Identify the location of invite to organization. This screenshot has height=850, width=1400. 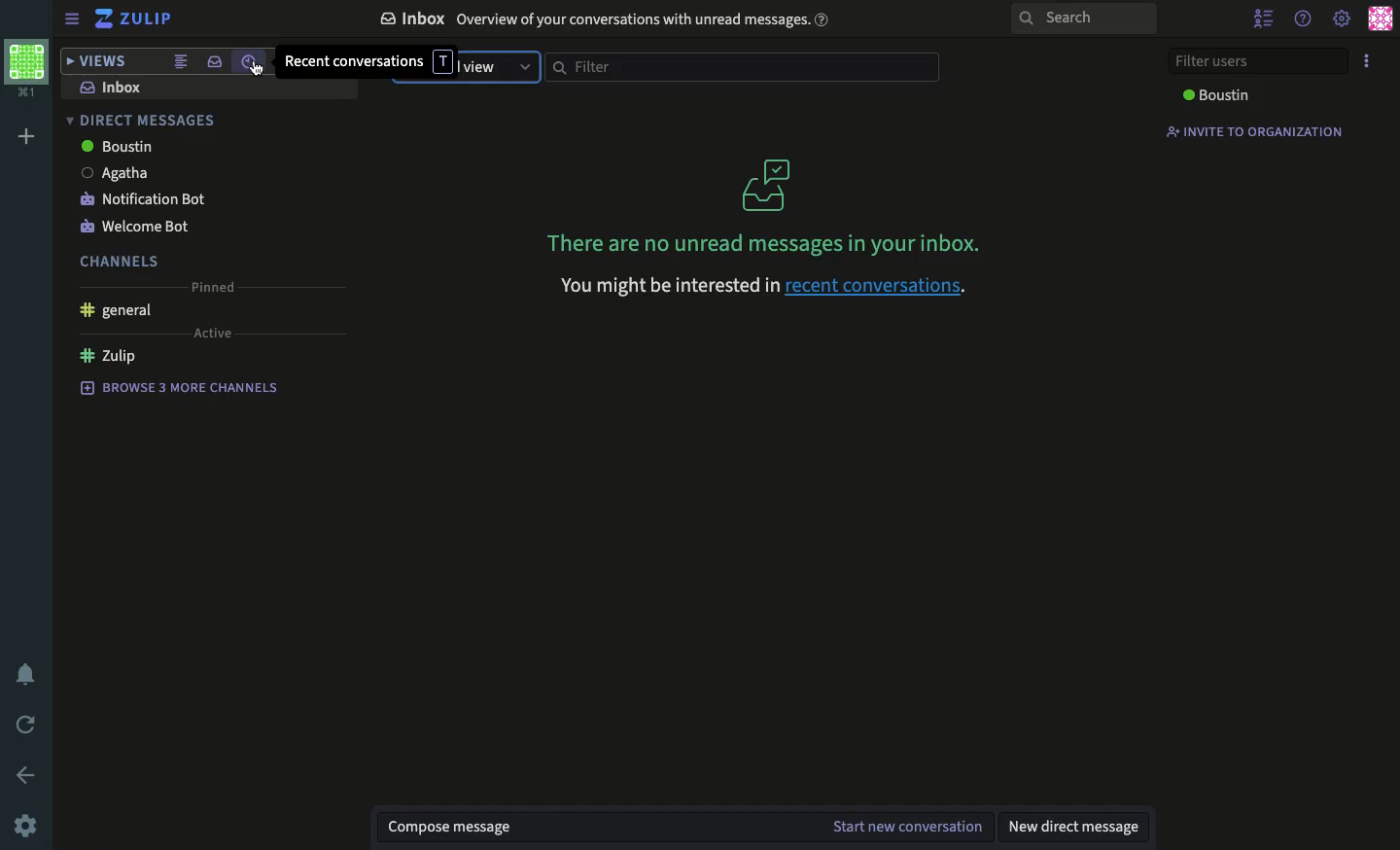
(1252, 131).